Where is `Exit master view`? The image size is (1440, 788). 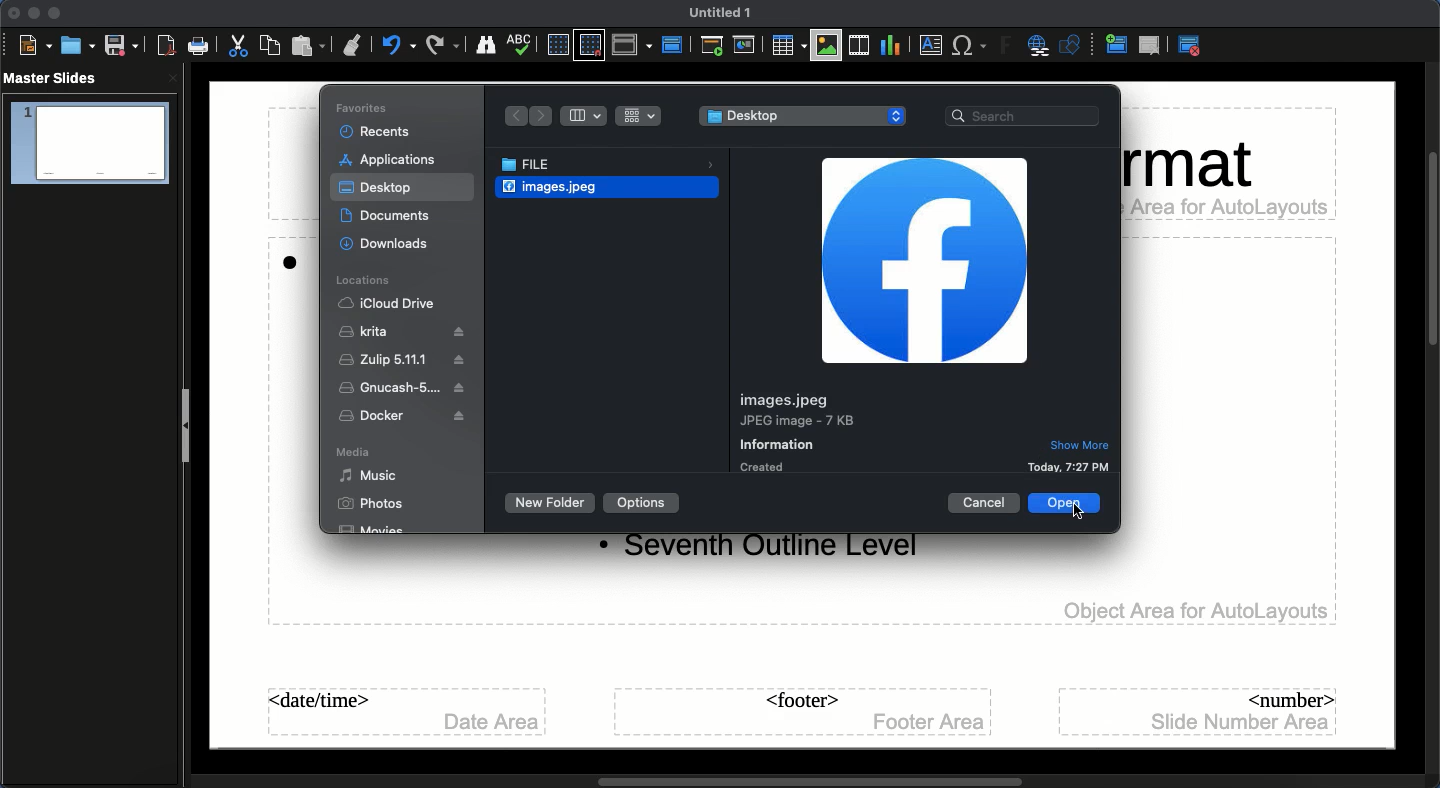 Exit master view is located at coordinates (1189, 47).